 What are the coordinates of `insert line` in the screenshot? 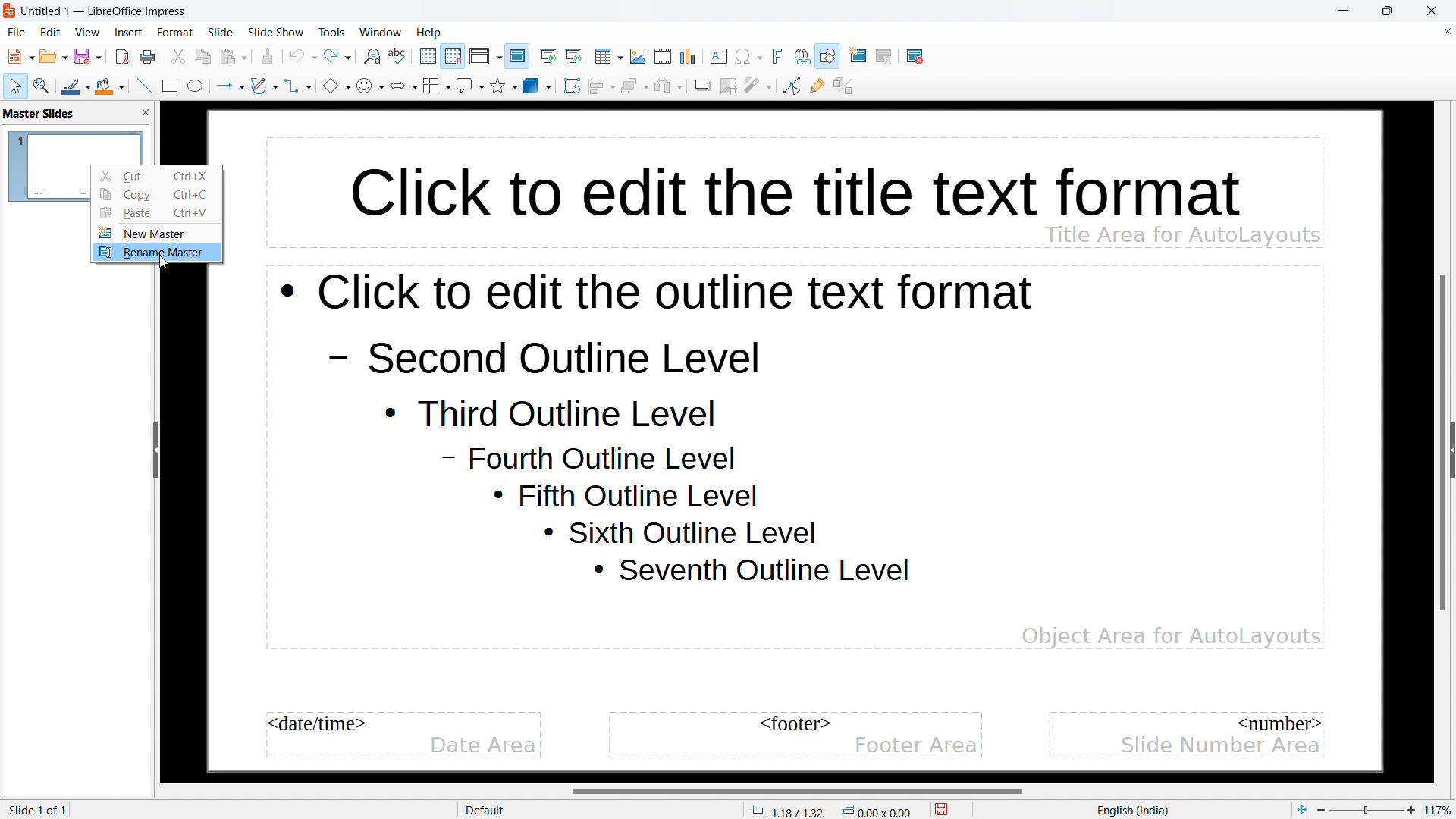 It's located at (144, 85).